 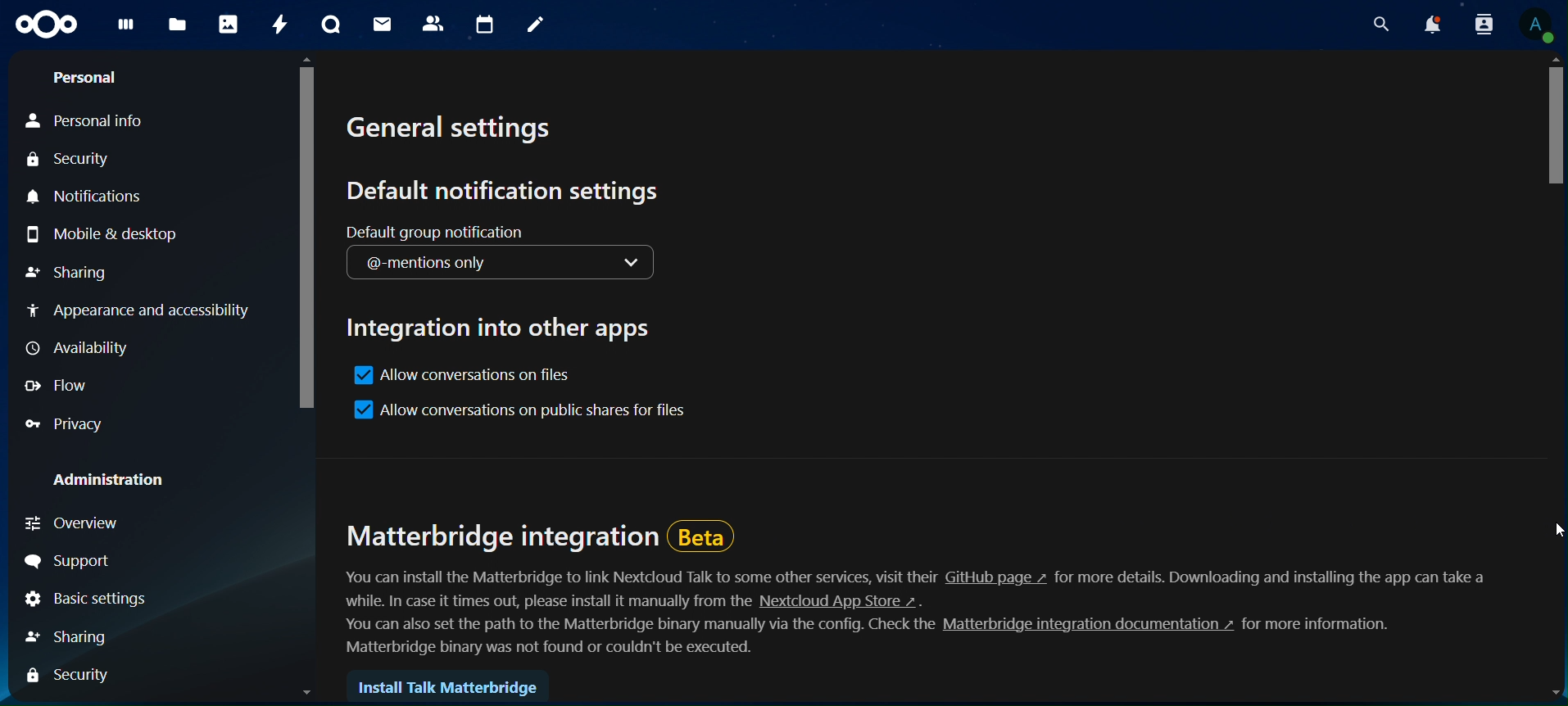 I want to click on calendar, so click(x=484, y=26).